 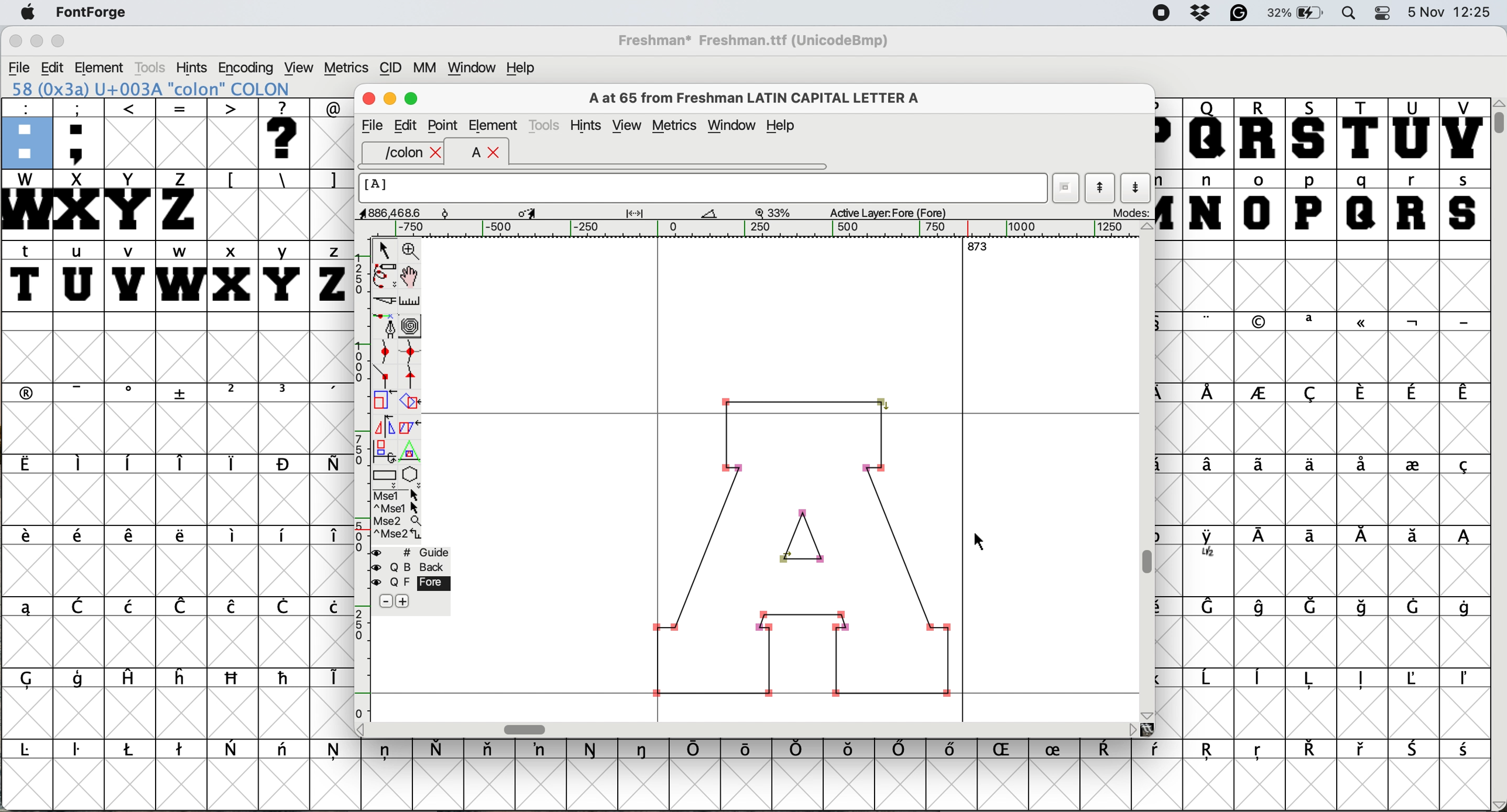 What do you see at coordinates (330, 538) in the screenshot?
I see `symbol` at bounding box center [330, 538].